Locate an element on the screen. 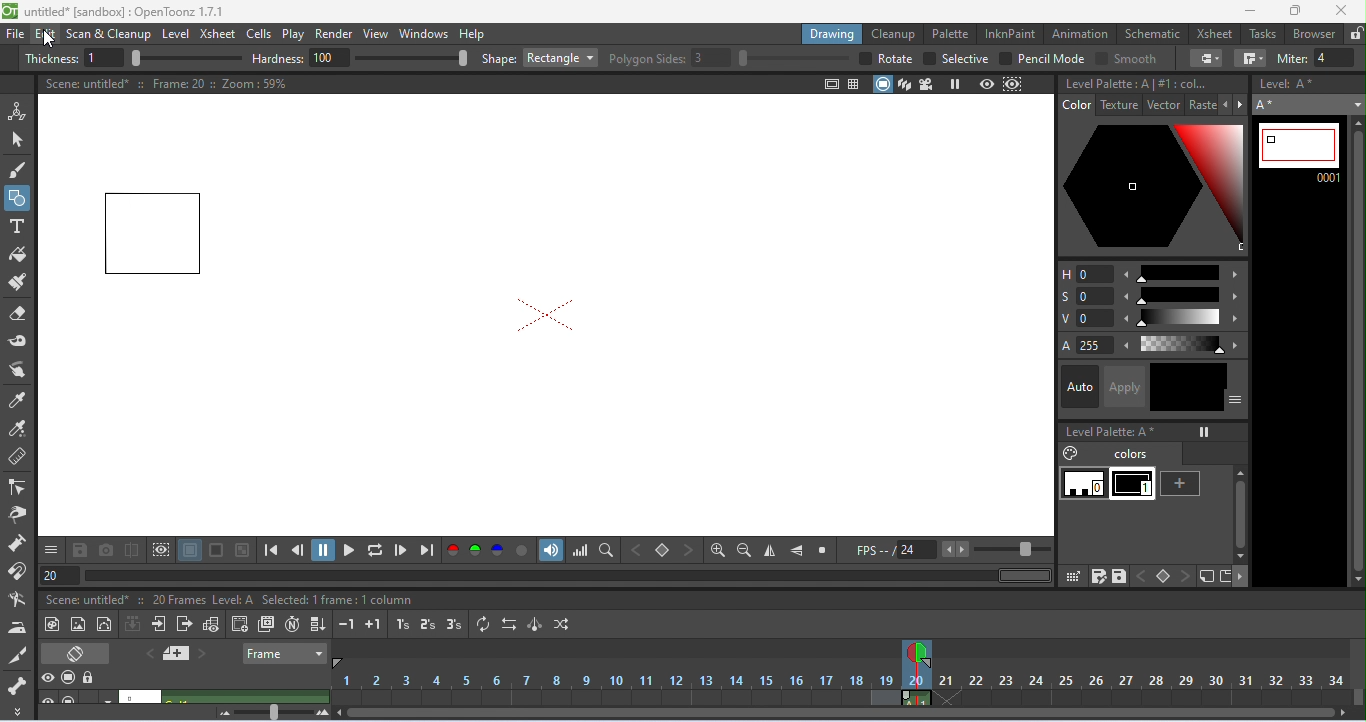  FPS is located at coordinates (952, 551).